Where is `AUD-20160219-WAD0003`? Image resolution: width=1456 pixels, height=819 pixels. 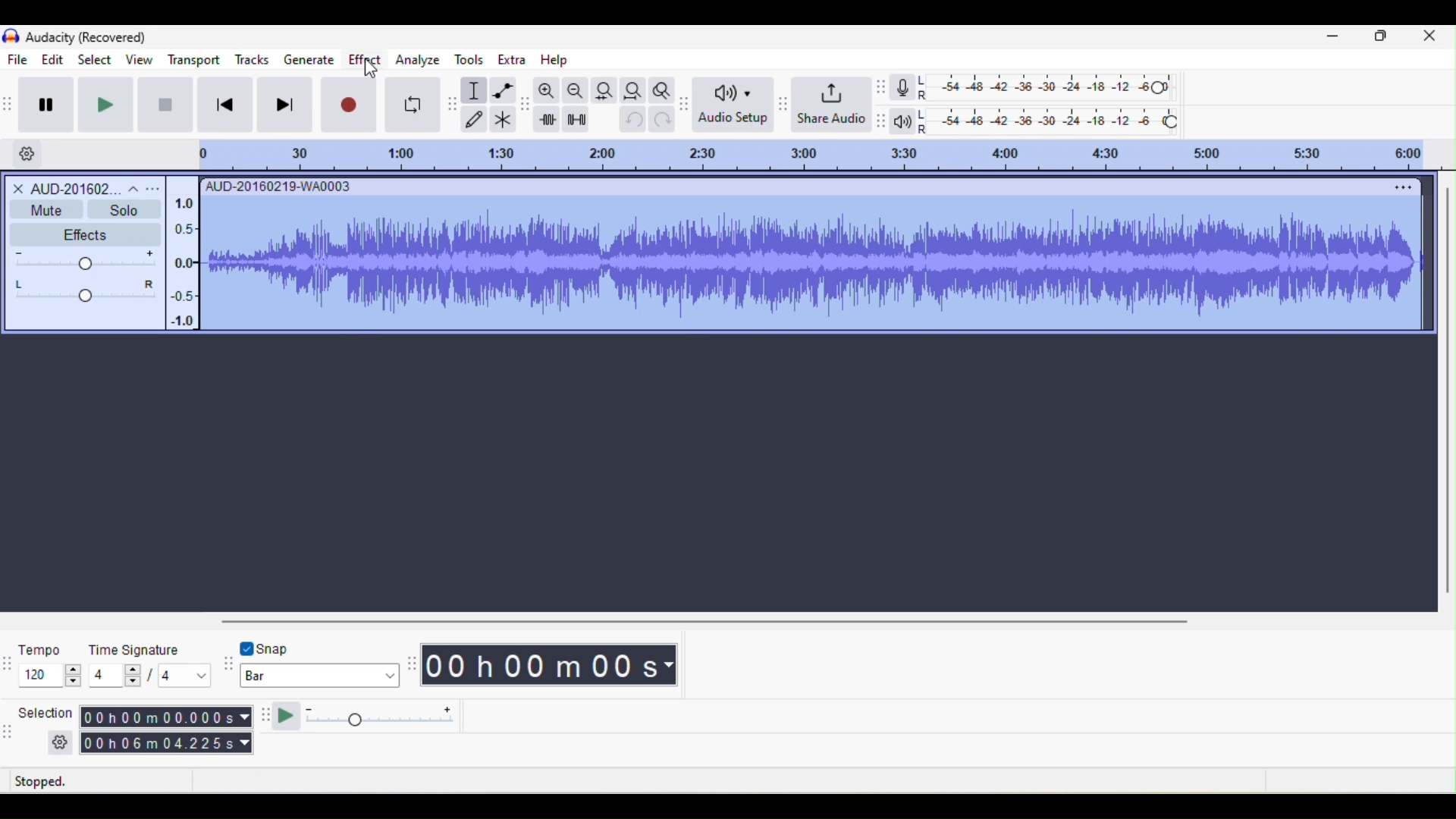 AUD-20160219-WAD0003 is located at coordinates (278, 186).